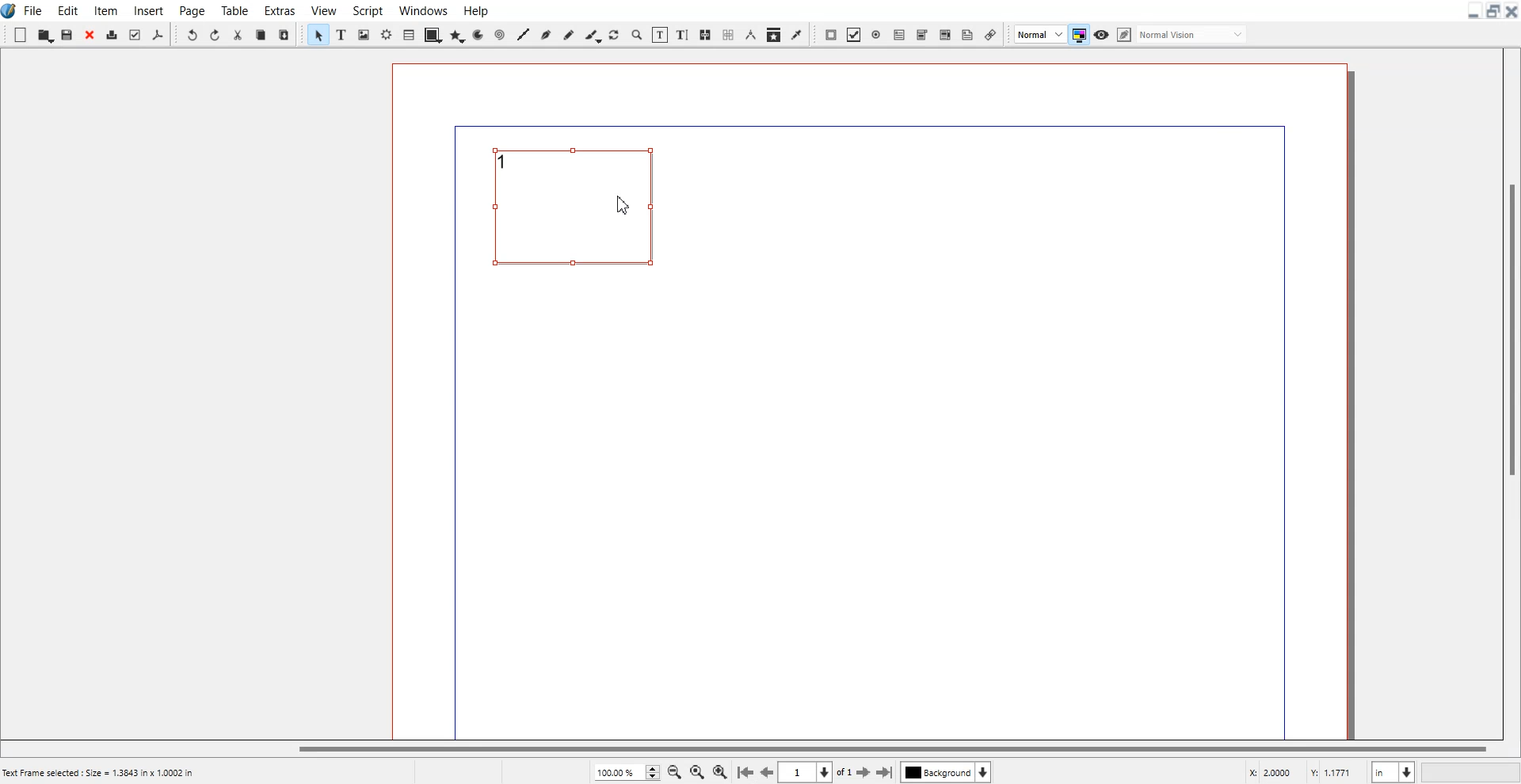 The height and width of the screenshot is (784, 1521). What do you see at coordinates (1183, 33) in the screenshot?
I see `Edit in preview mode` at bounding box center [1183, 33].